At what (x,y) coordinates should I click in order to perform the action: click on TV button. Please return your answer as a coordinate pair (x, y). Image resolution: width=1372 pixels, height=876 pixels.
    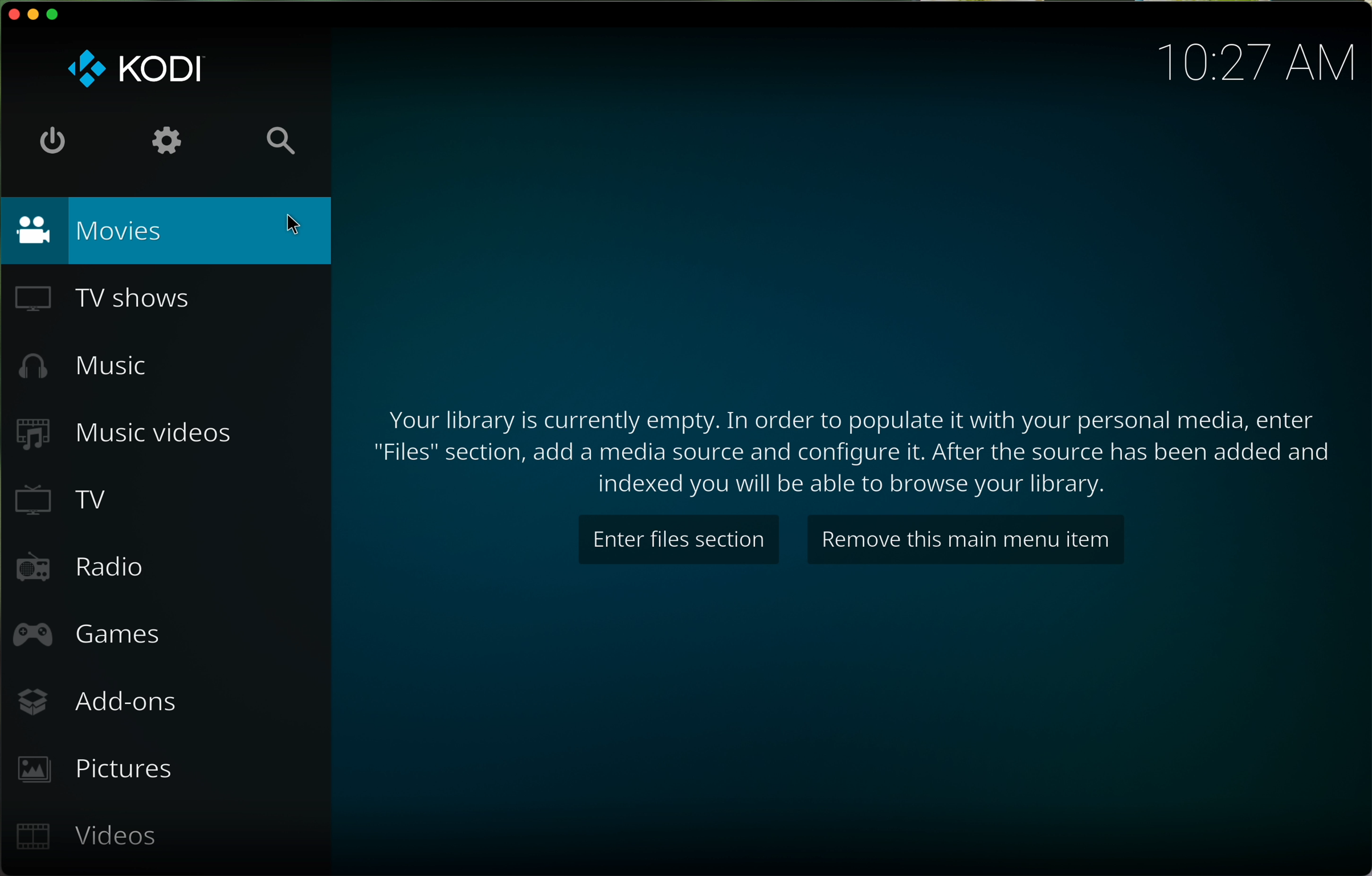
    Looking at the image, I should click on (63, 498).